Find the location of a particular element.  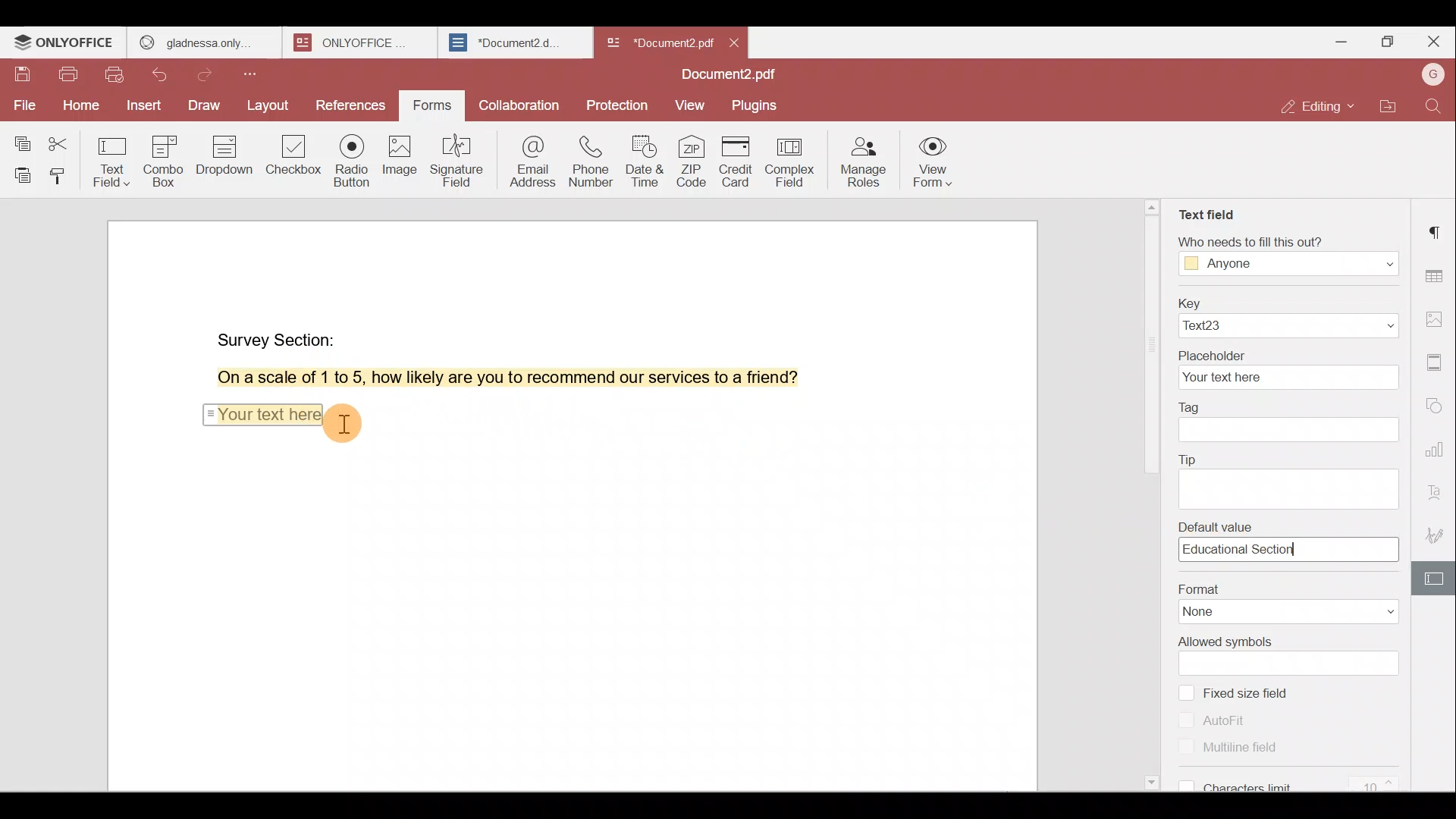

Tag is located at coordinates (1291, 423).